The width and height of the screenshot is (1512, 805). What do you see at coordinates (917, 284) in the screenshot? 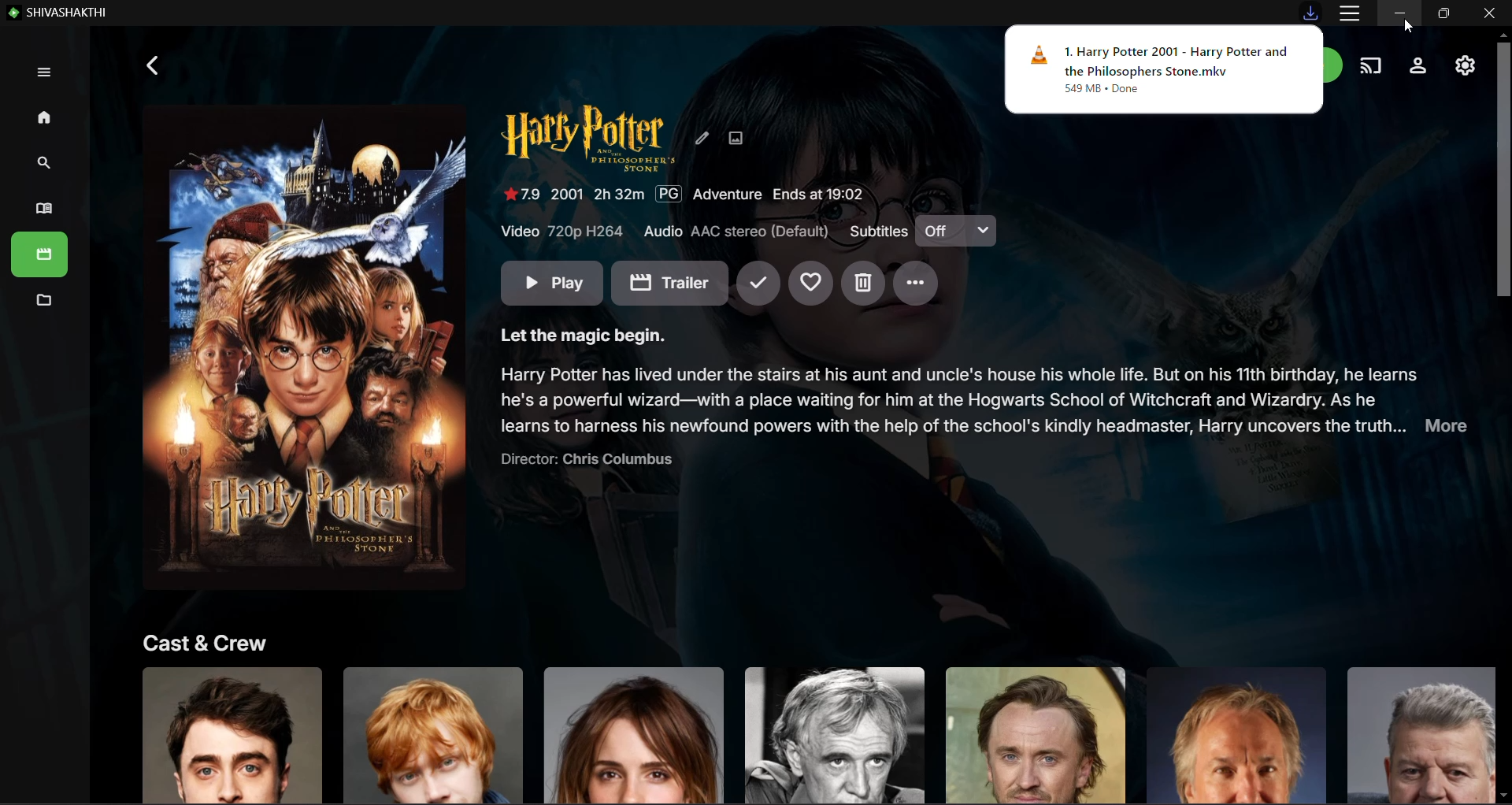
I see `More` at bounding box center [917, 284].